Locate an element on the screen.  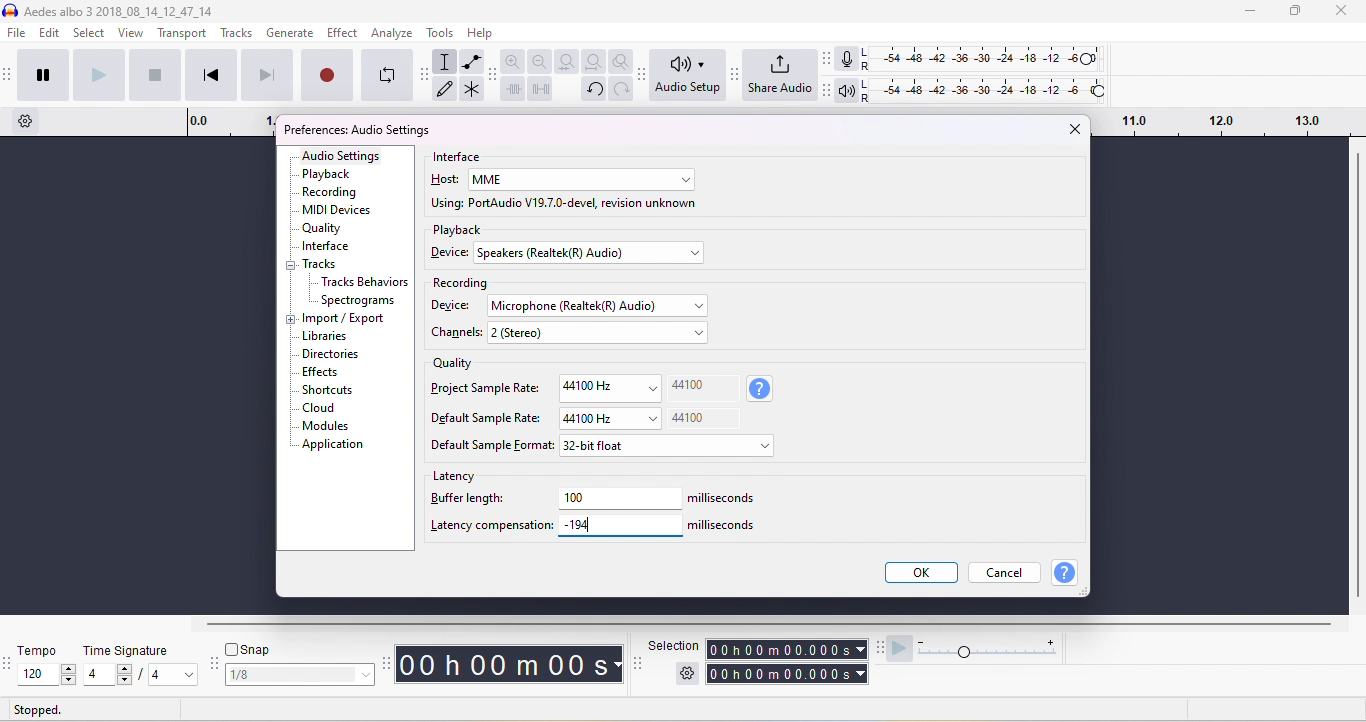
minimize is located at coordinates (1247, 12).